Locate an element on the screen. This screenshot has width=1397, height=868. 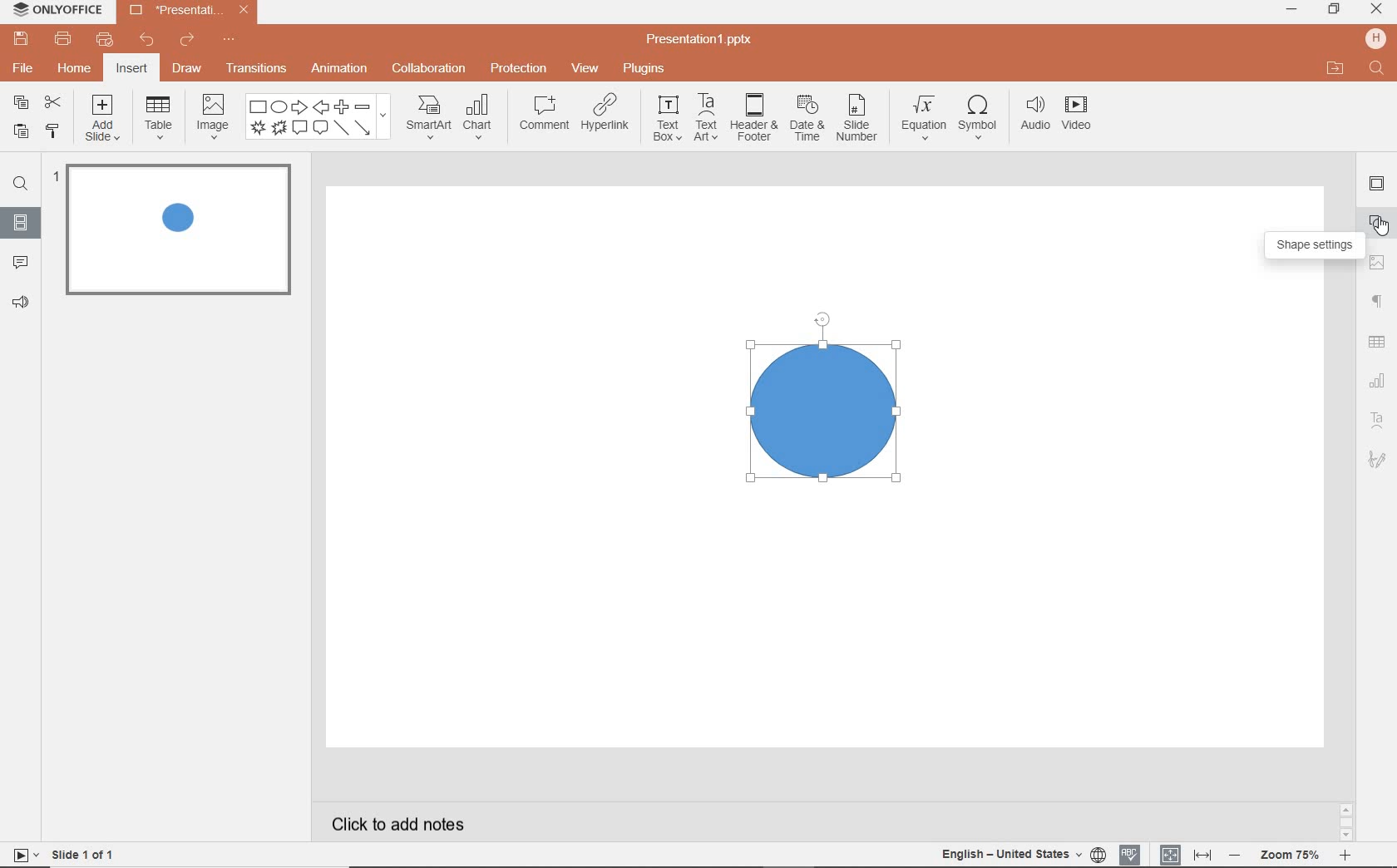
equation is located at coordinates (922, 117).